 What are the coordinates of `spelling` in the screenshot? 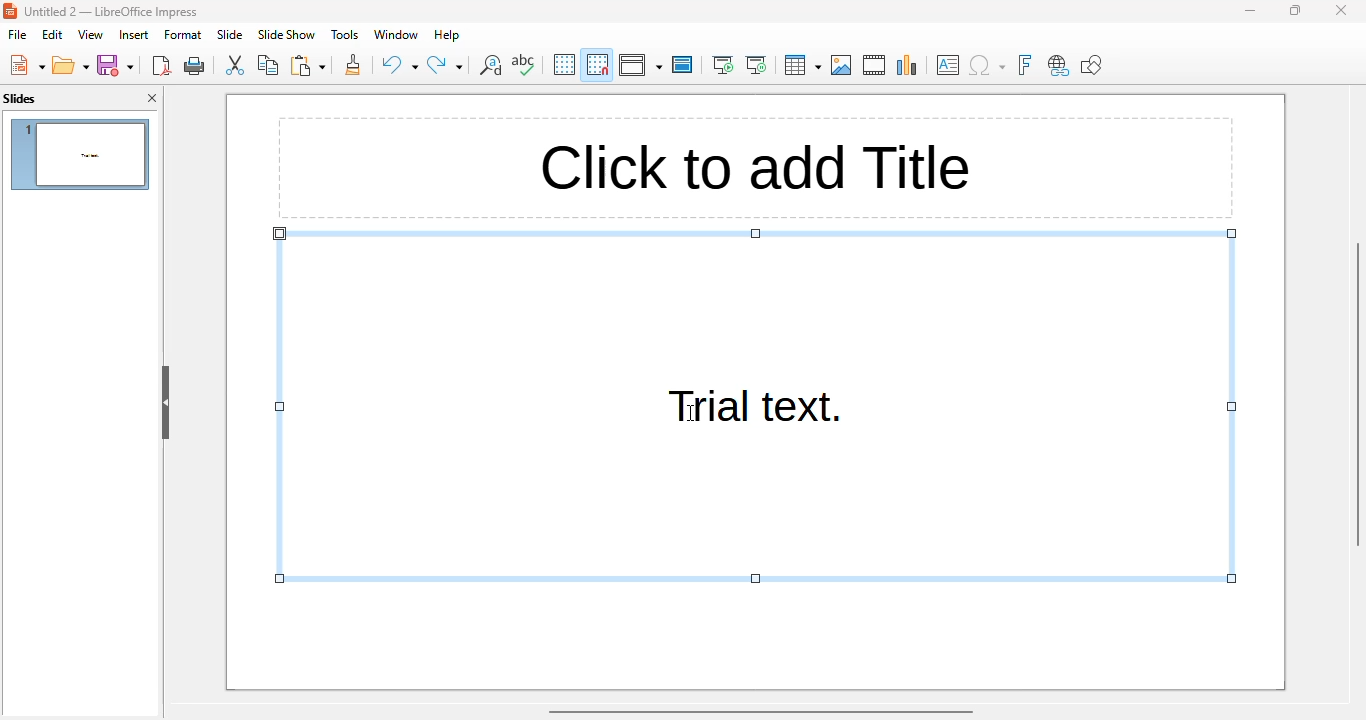 It's located at (523, 64).